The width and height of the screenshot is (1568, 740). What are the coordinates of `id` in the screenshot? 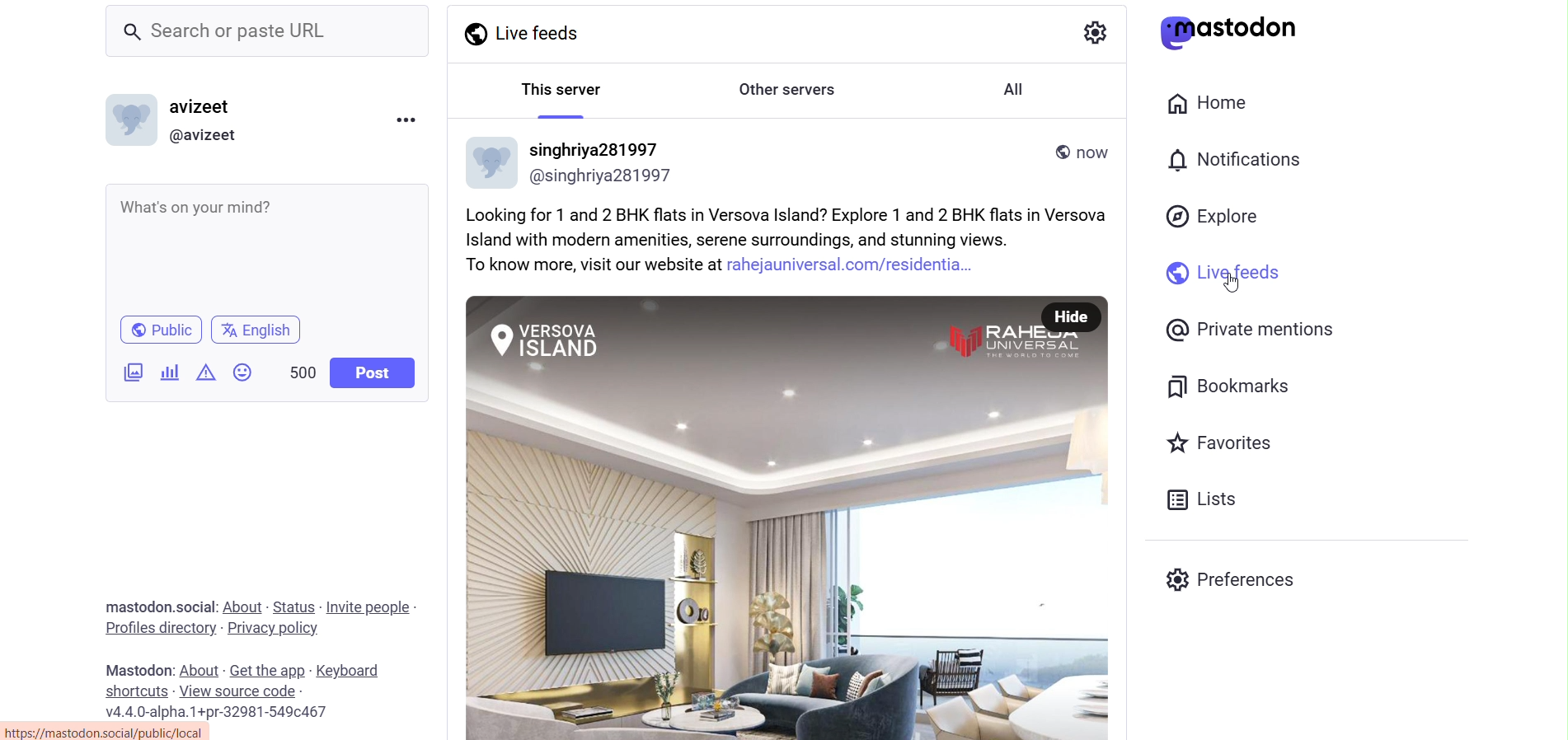 It's located at (201, 134).